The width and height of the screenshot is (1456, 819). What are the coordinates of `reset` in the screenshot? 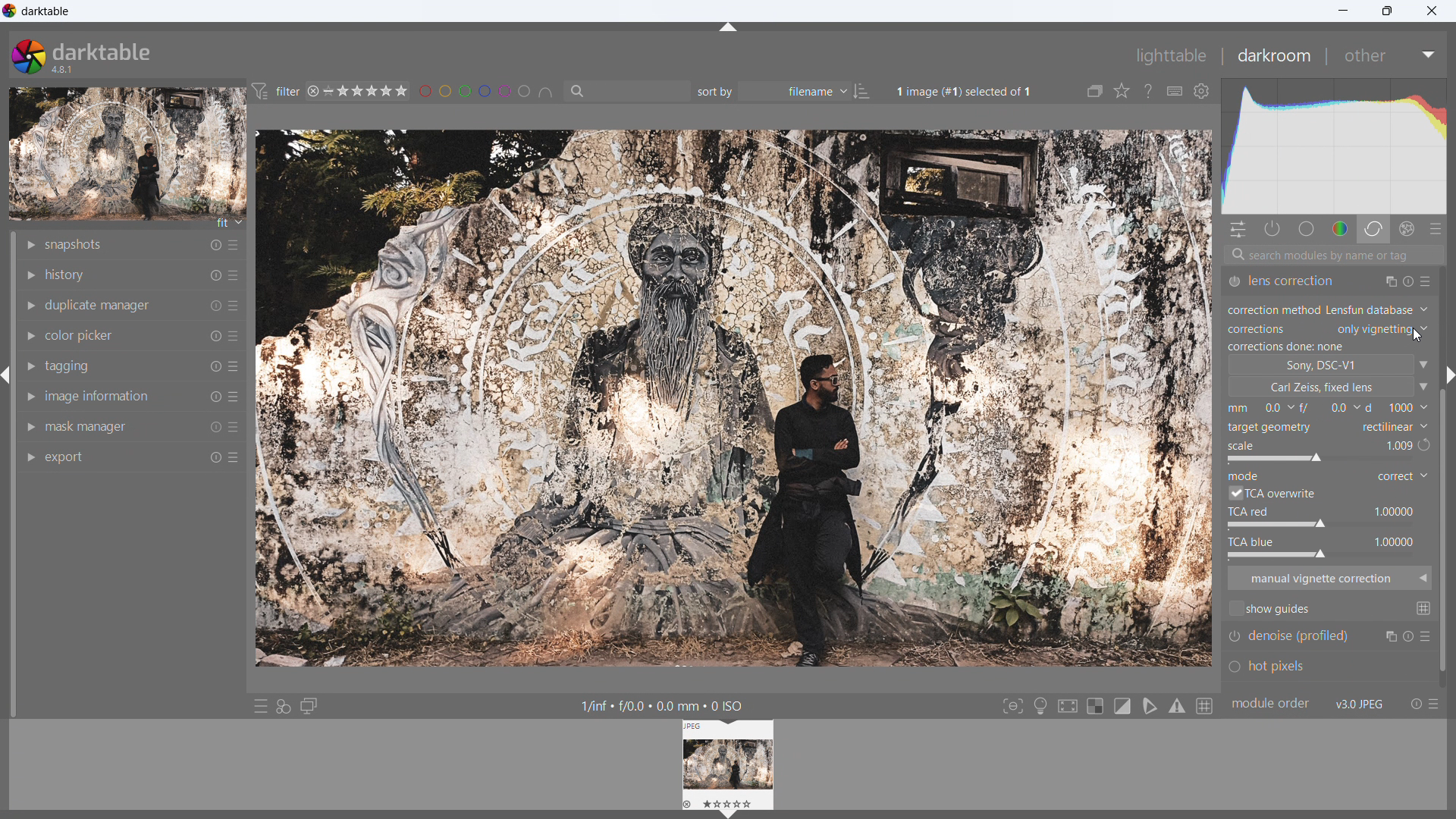 It's located at (215, 429).